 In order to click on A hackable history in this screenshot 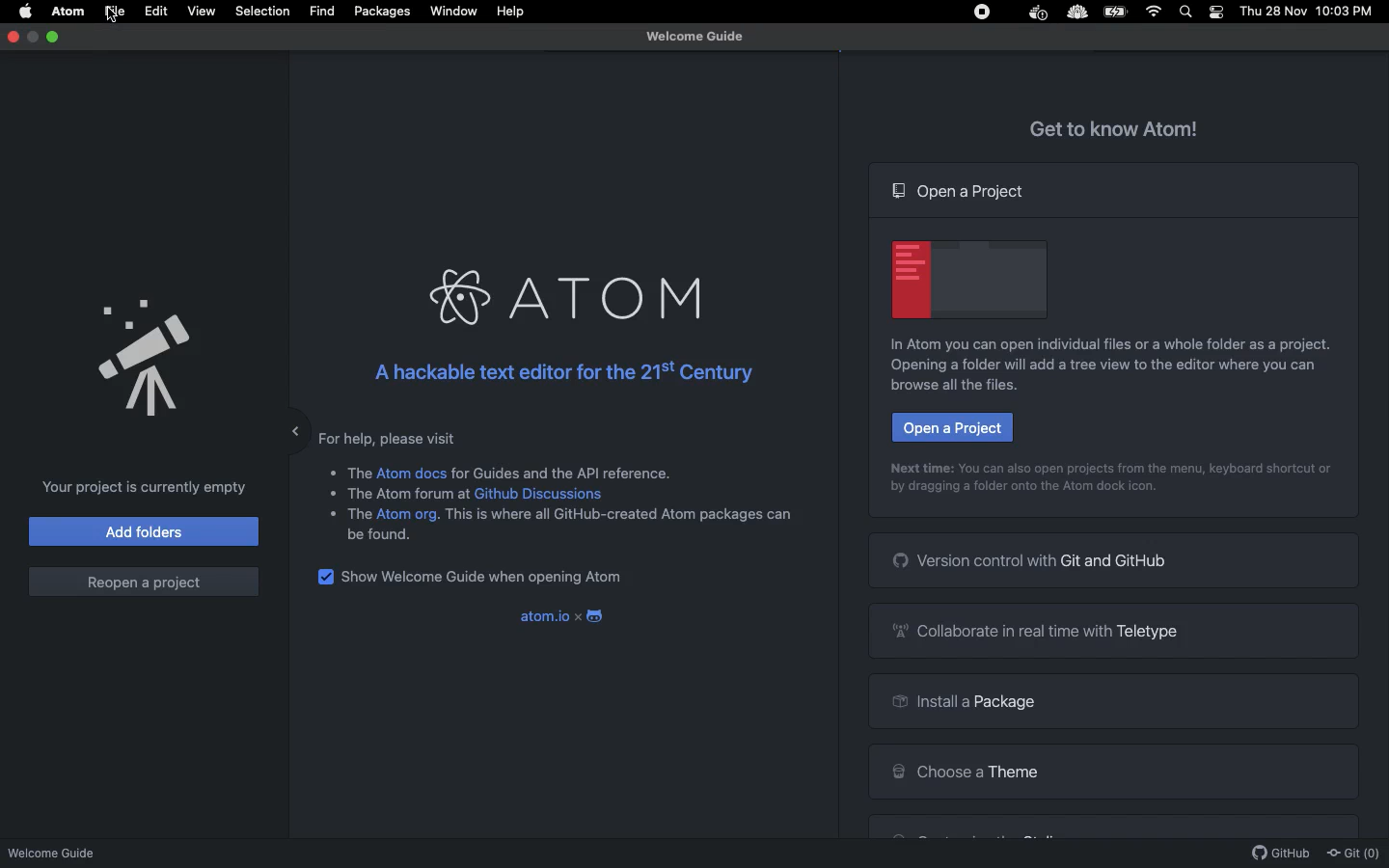, I will do `click(558, 372)`.